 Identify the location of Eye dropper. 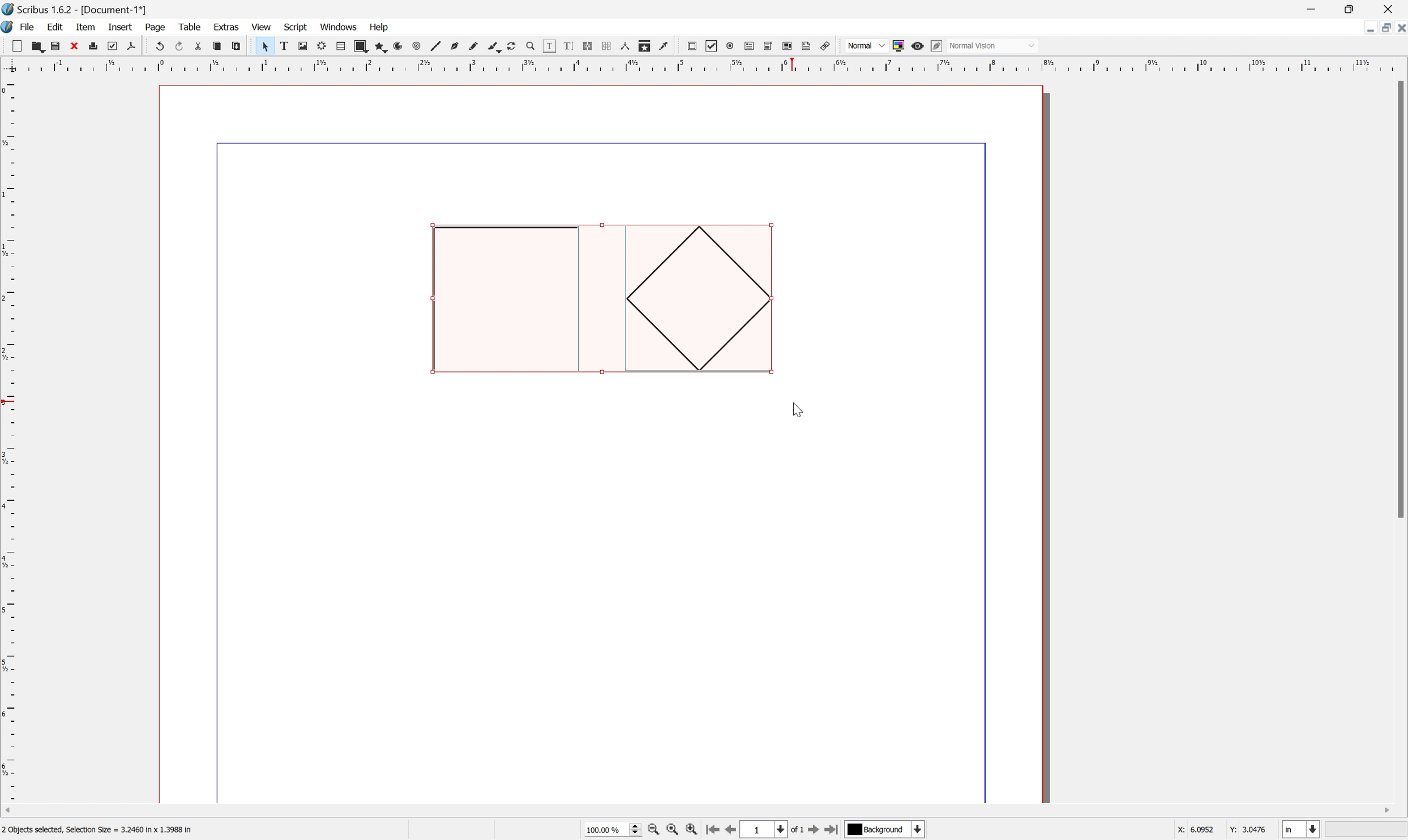
(664, 45).